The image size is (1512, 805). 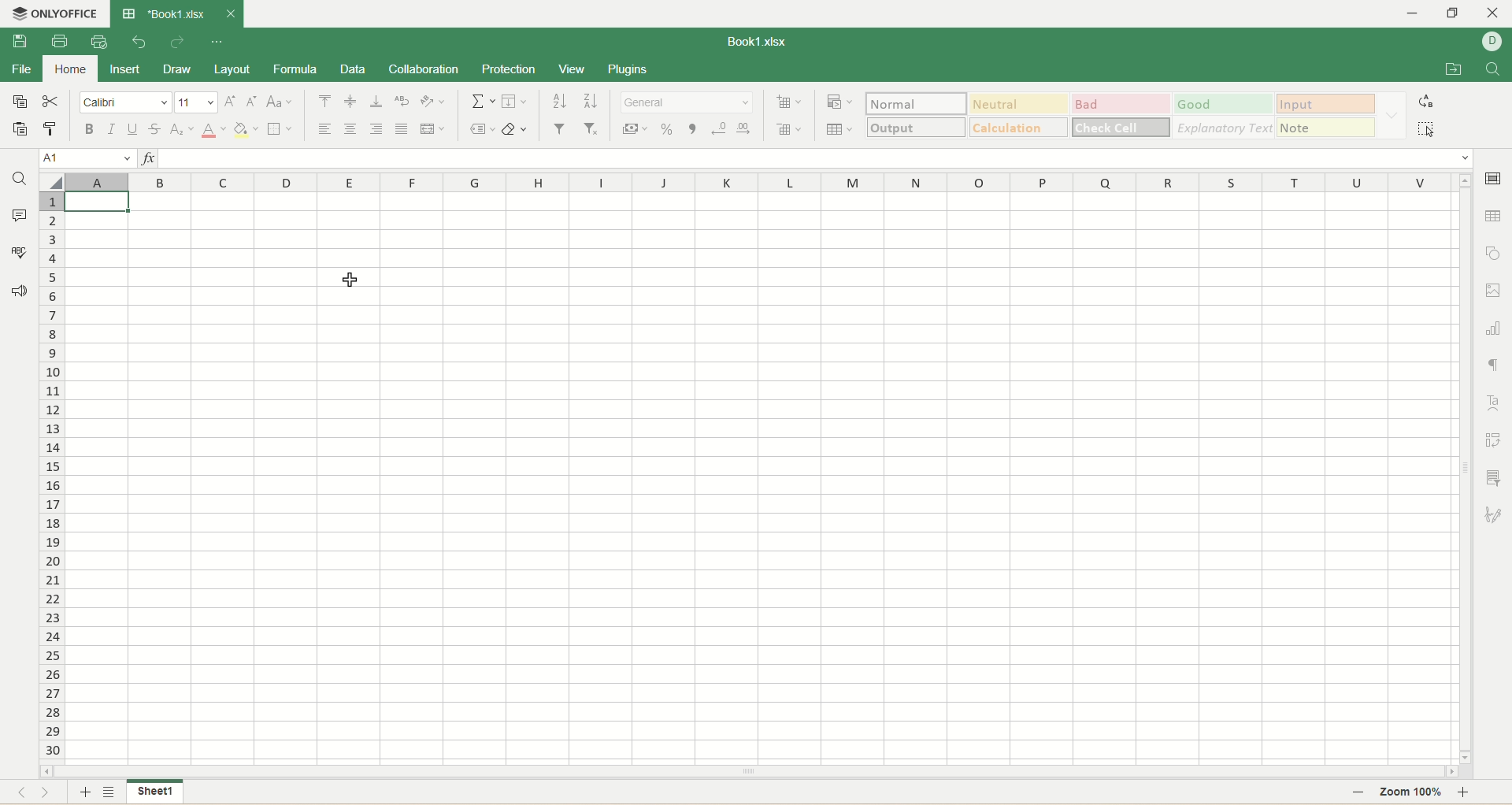 I want to click on cut, so click(x=51, y=99).